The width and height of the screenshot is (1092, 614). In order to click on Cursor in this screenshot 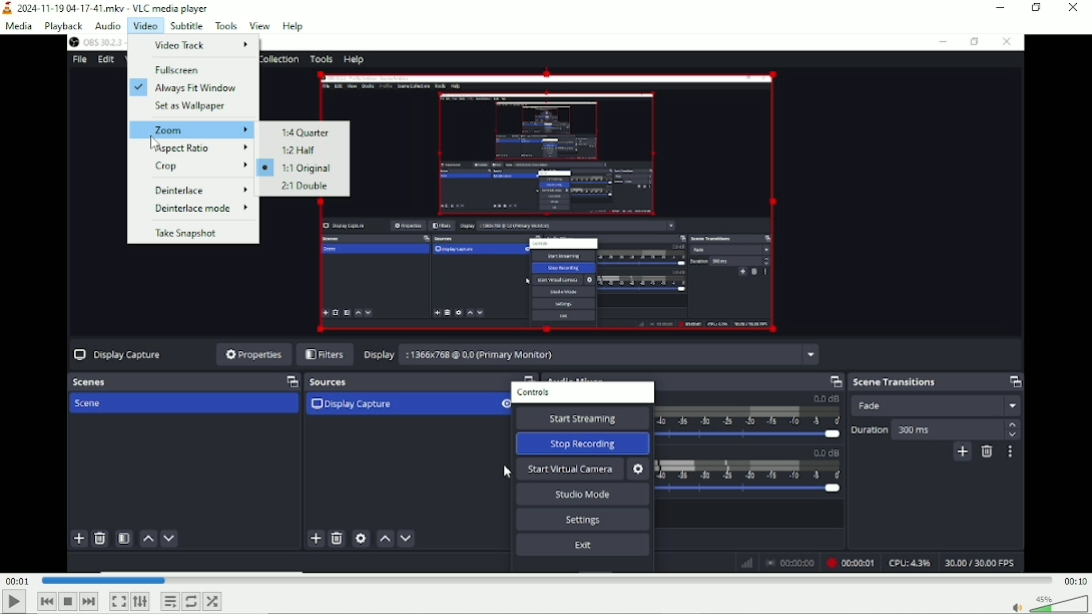, I will do `click(156, 143)`.